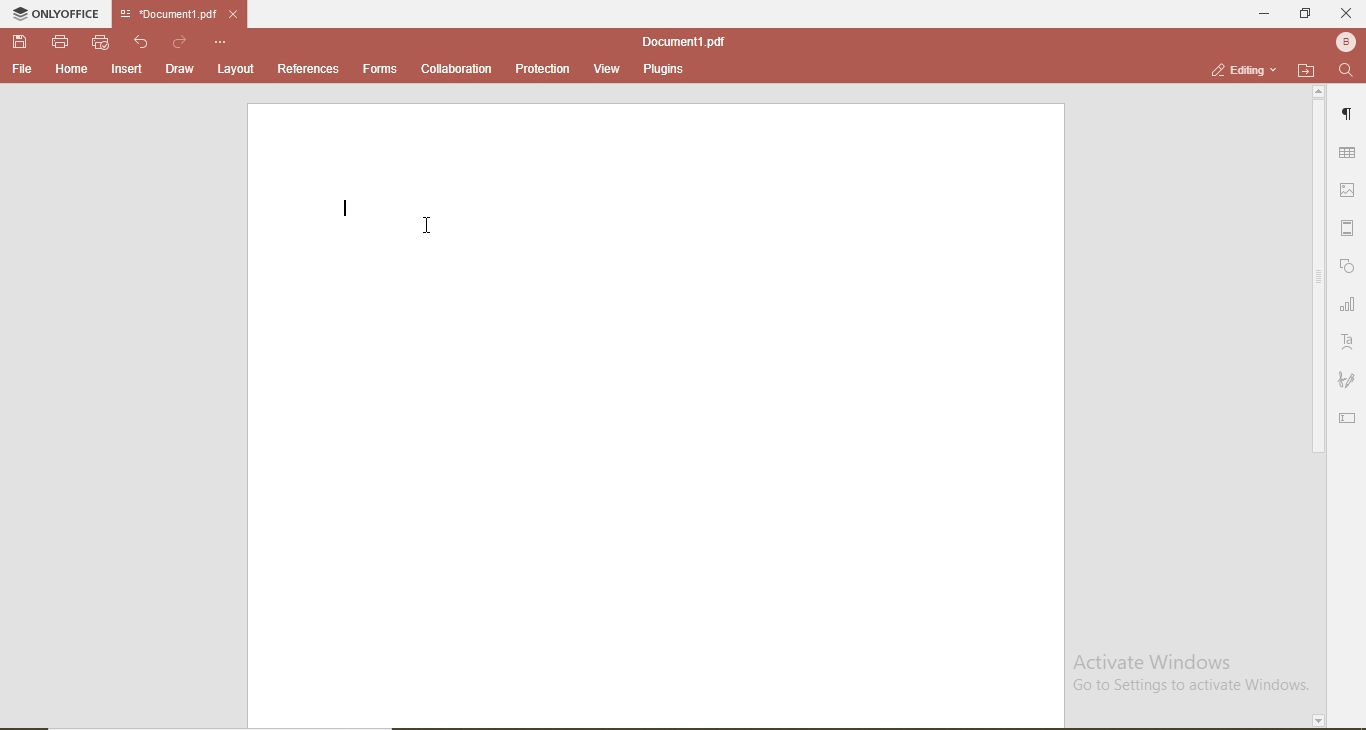 This screenshot has height=730, width=1366. What do you see at coordinates (433, 227) in the screenshot?
I see `cursor` at bounding box center [433, 227].